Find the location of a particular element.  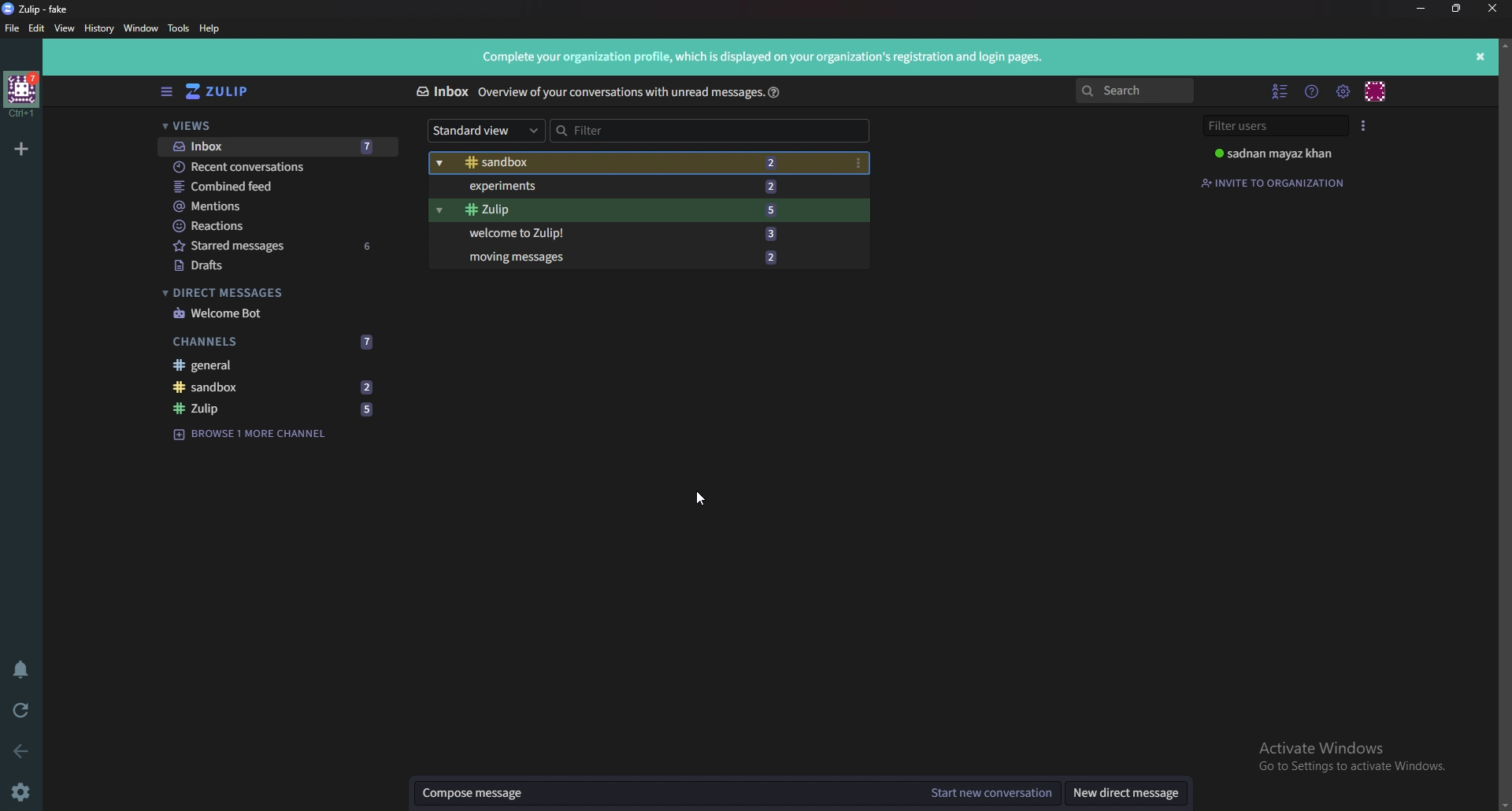

Help menu is located at coordinates (1312, 91).